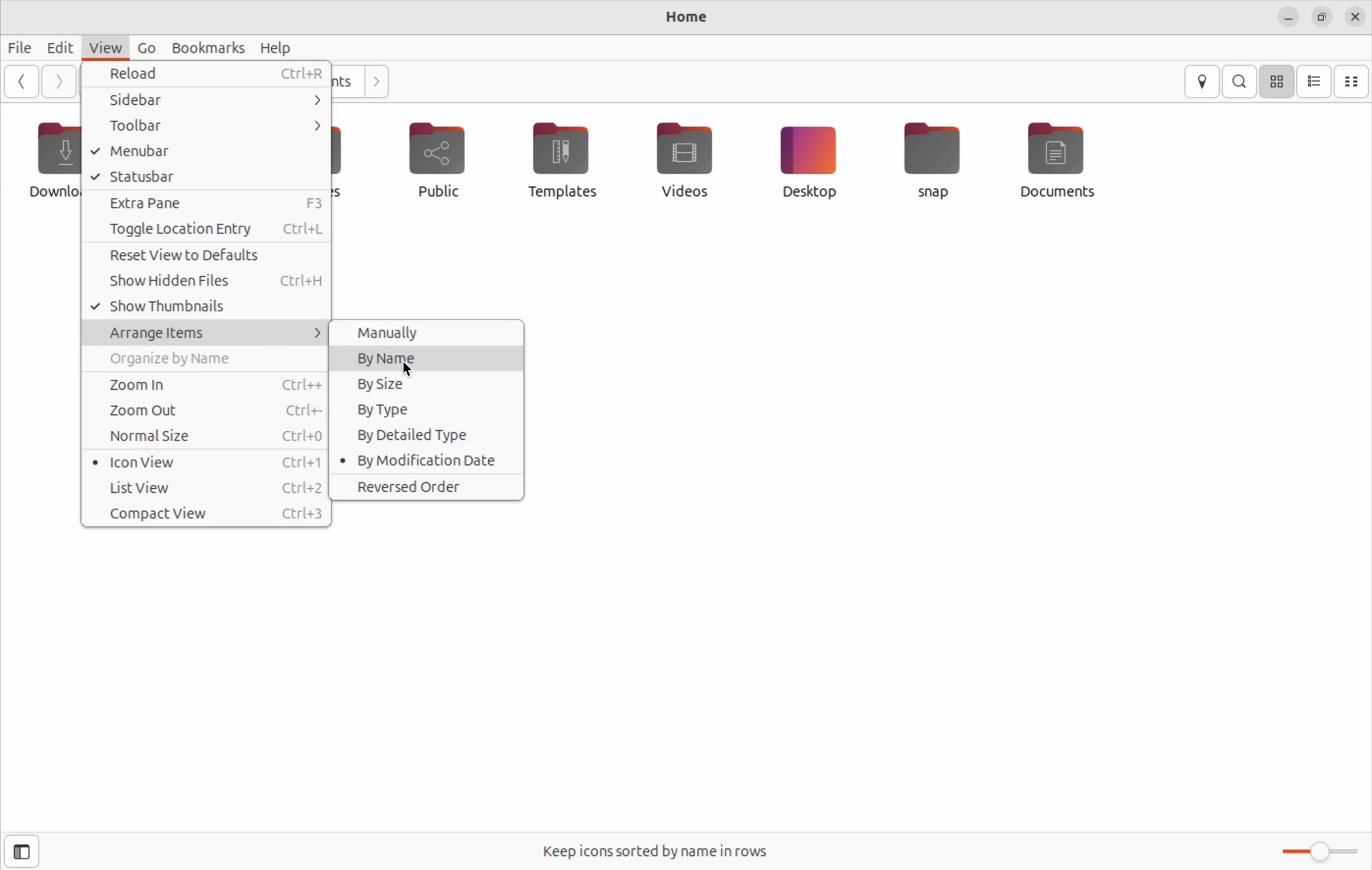 This screenshot has width=1372, height=870. I want to click on show thumb nails, so click(207, 308).